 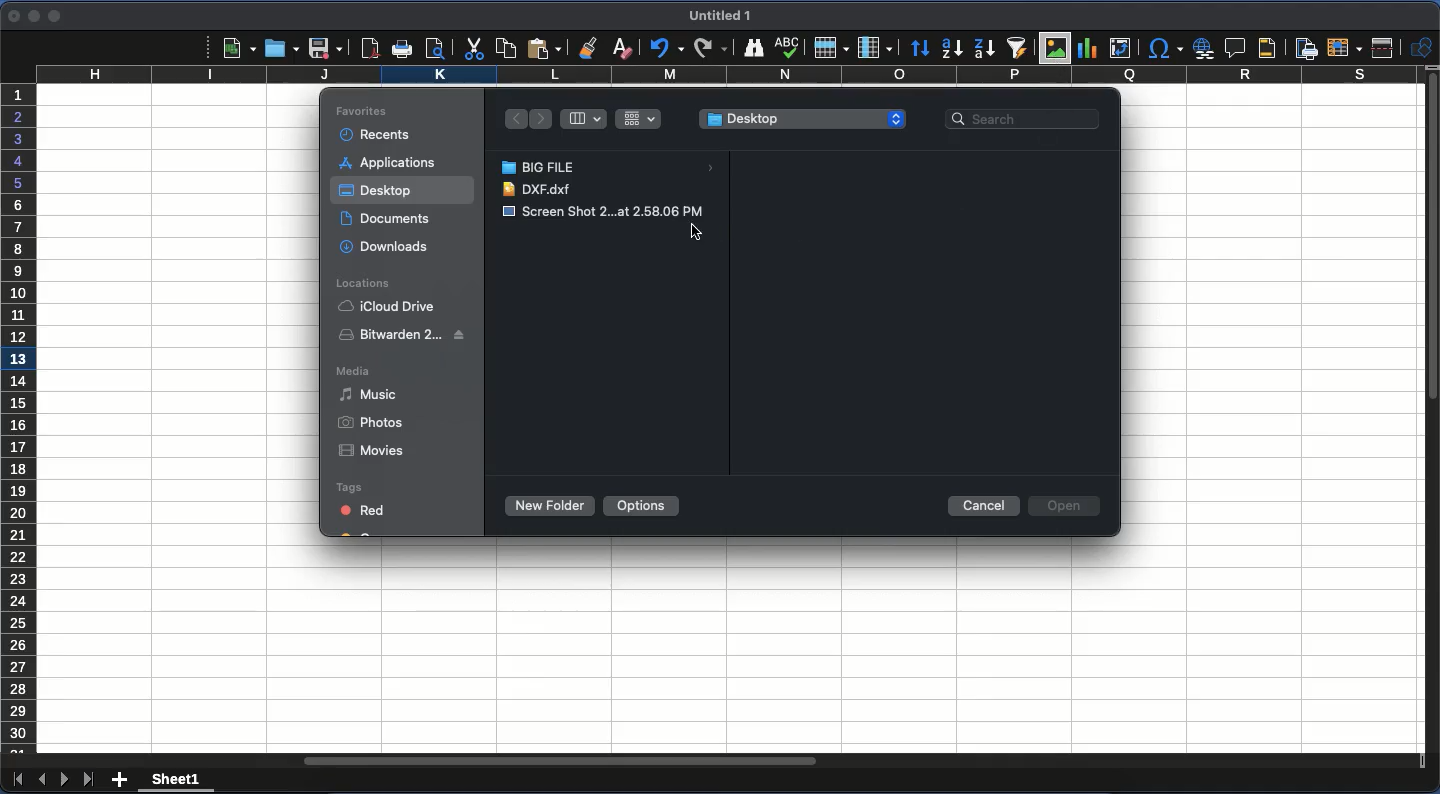 What do you see at coordinates (17, 783) in the screenshot?
I see `first sheet` at bounding box center [17, 783].